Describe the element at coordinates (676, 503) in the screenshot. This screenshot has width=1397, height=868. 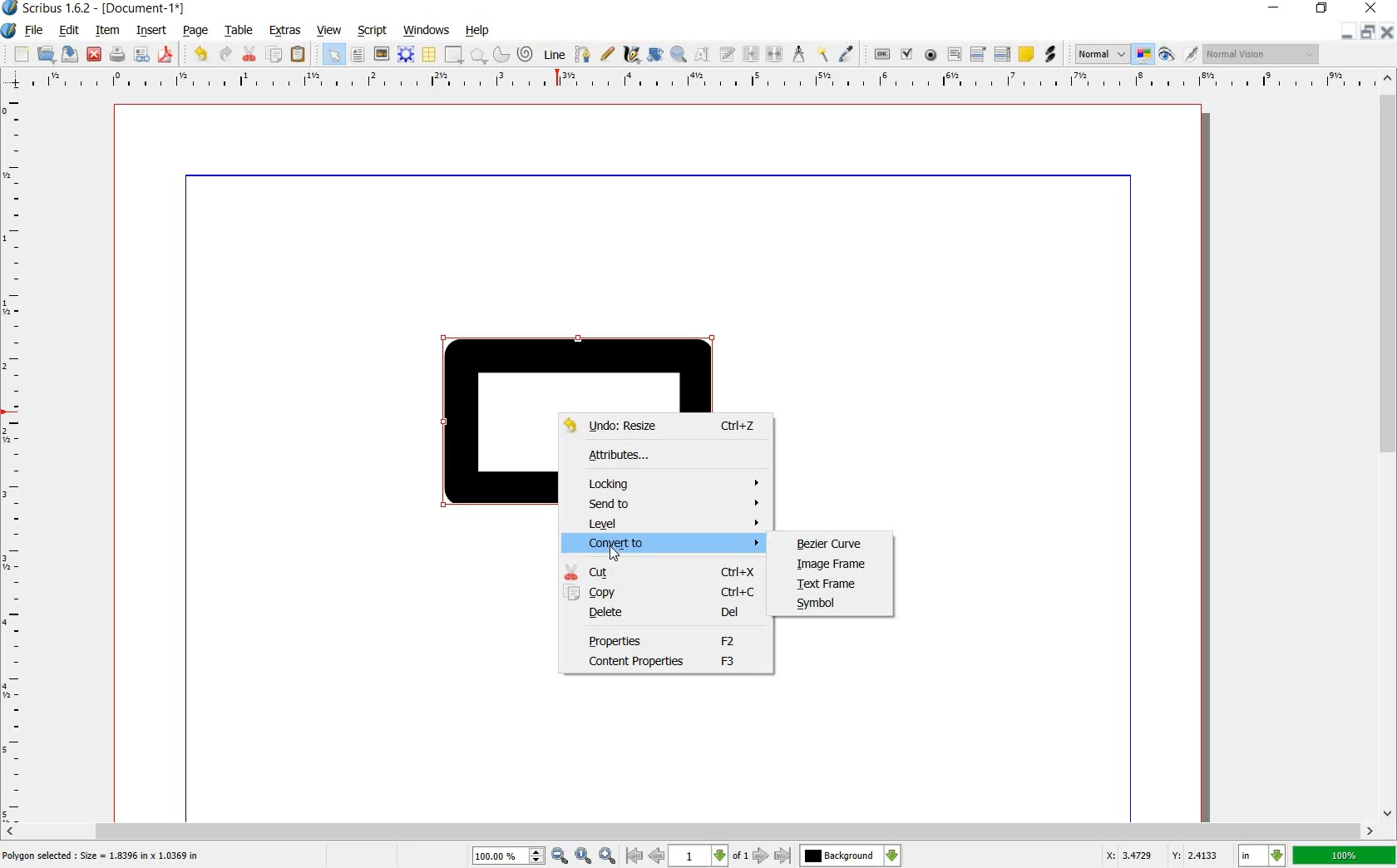
I see `SEND TO` at that location.